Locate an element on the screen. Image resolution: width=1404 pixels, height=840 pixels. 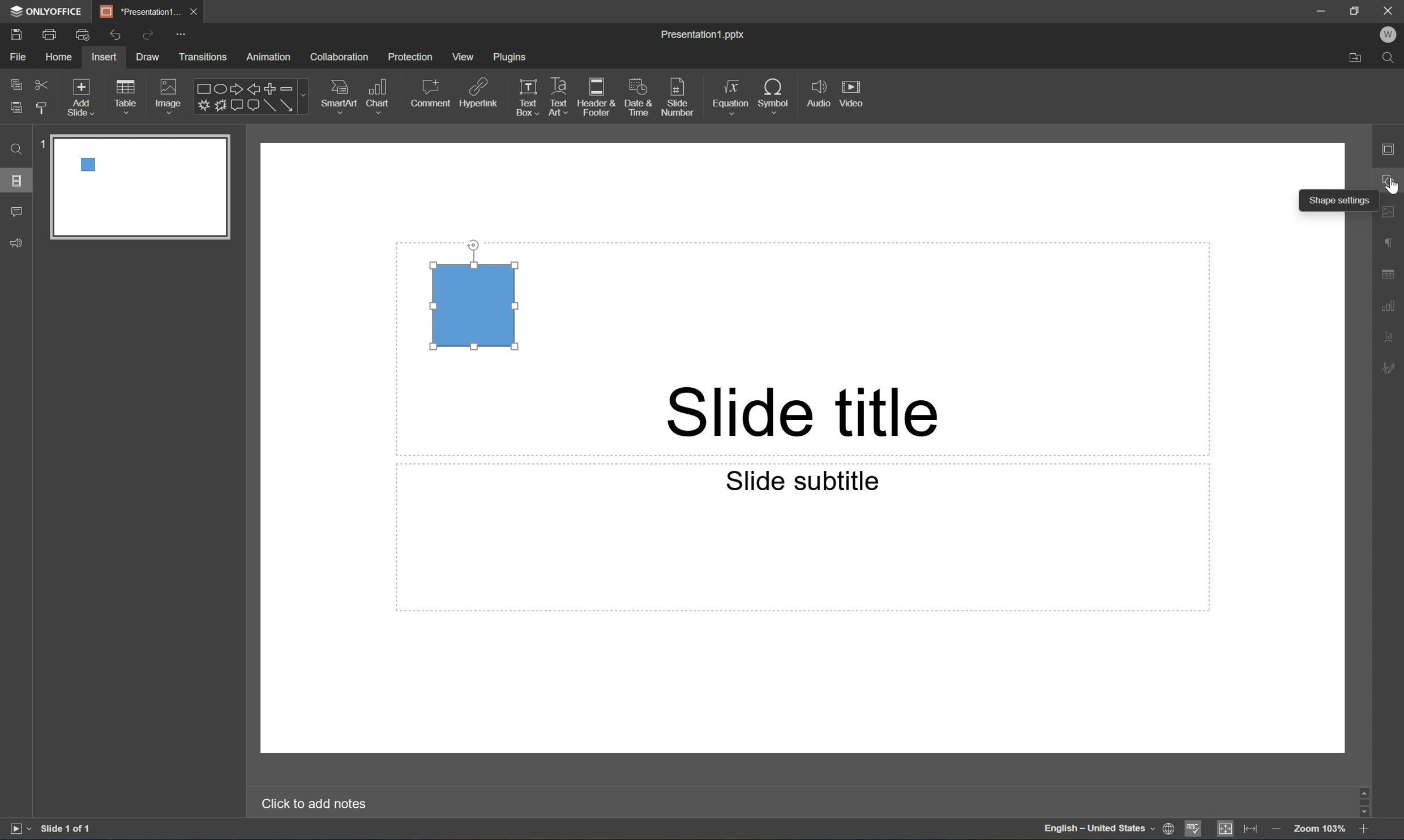
Home is located at coordinates (60, 57).